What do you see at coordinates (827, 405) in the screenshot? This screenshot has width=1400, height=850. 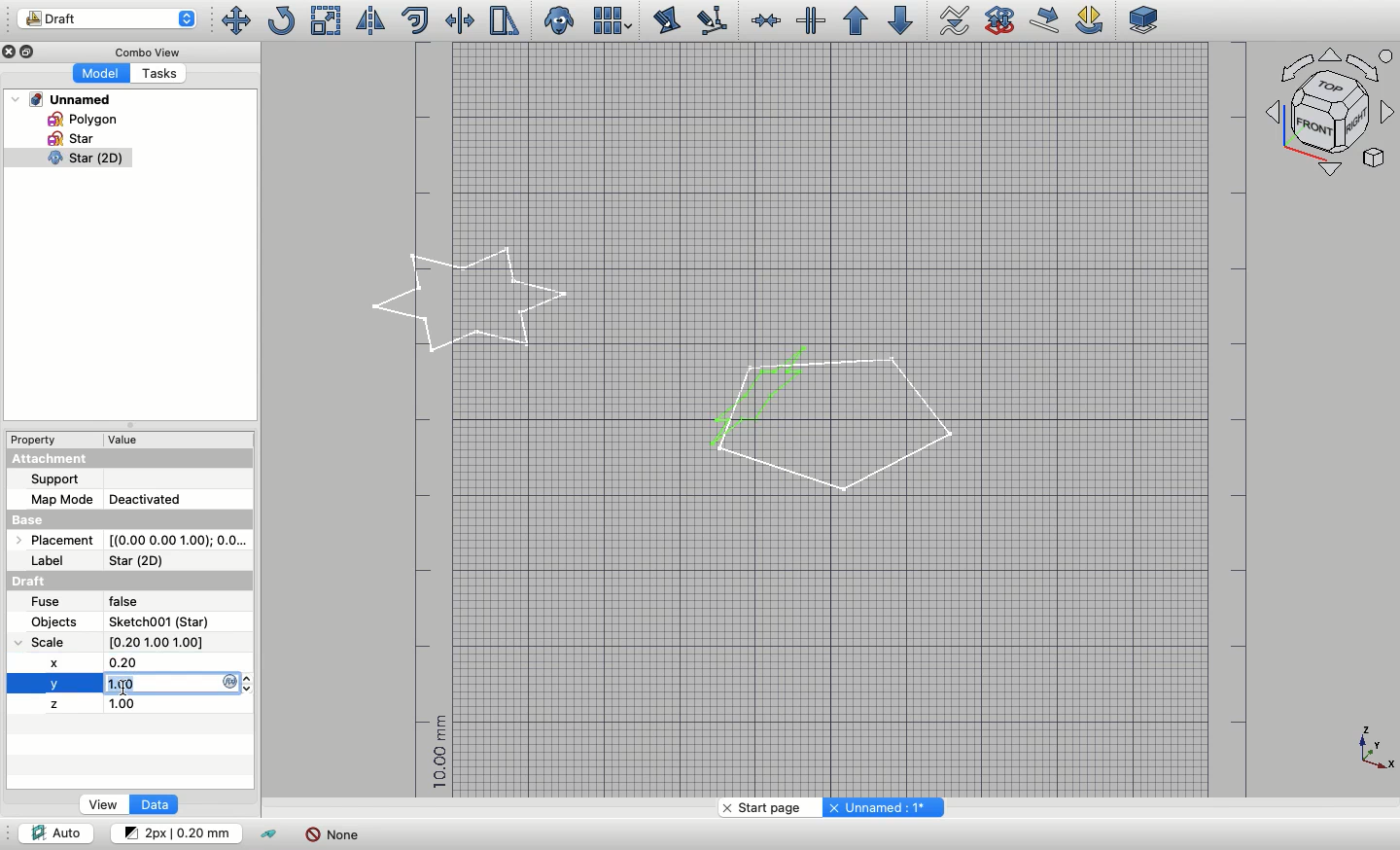 I see `Star shape added to polygon` at bounding box center [827, 405].